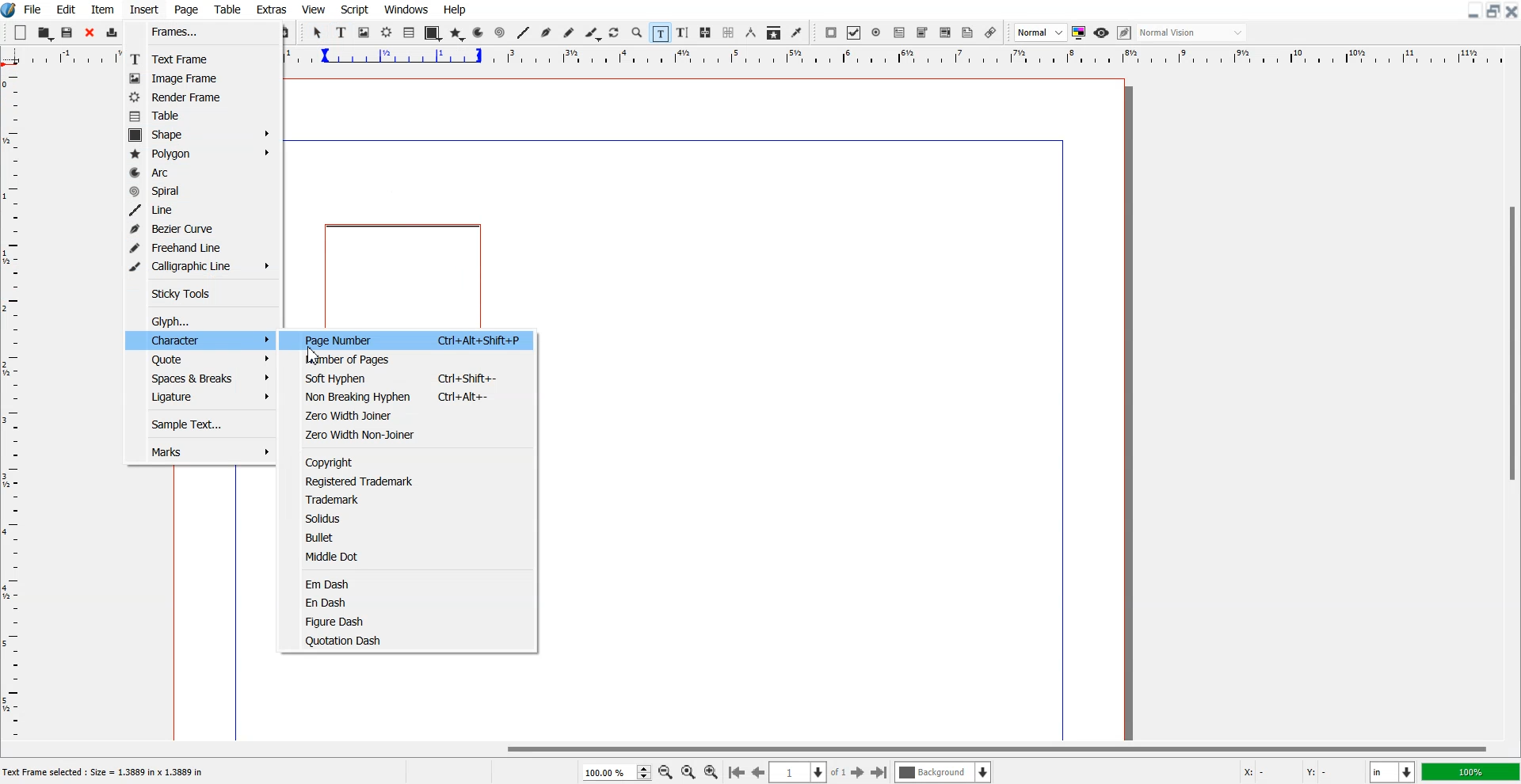 Image resolution: width=1521 pixels, height=784 pixels. I want to click on Go to Last Page, so click(879, 773).